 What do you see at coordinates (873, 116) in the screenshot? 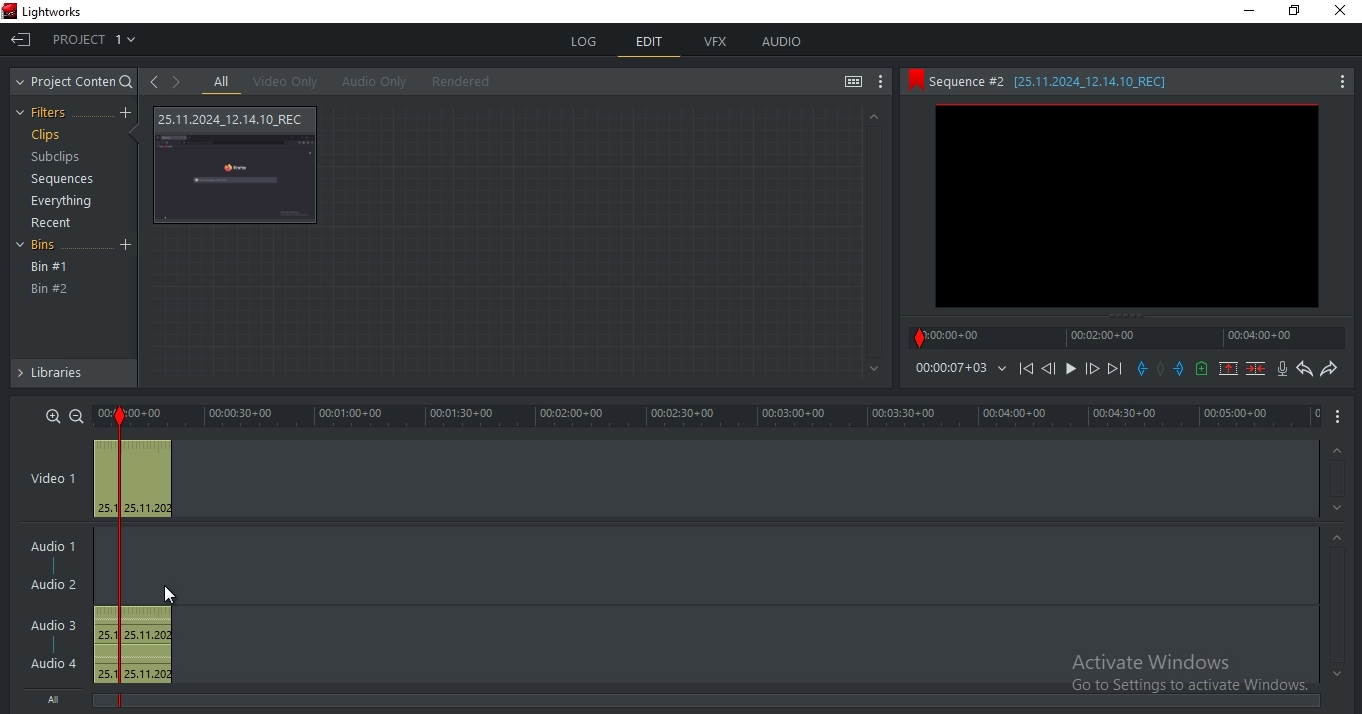
I see `Up` at bounding box center [873, 116].